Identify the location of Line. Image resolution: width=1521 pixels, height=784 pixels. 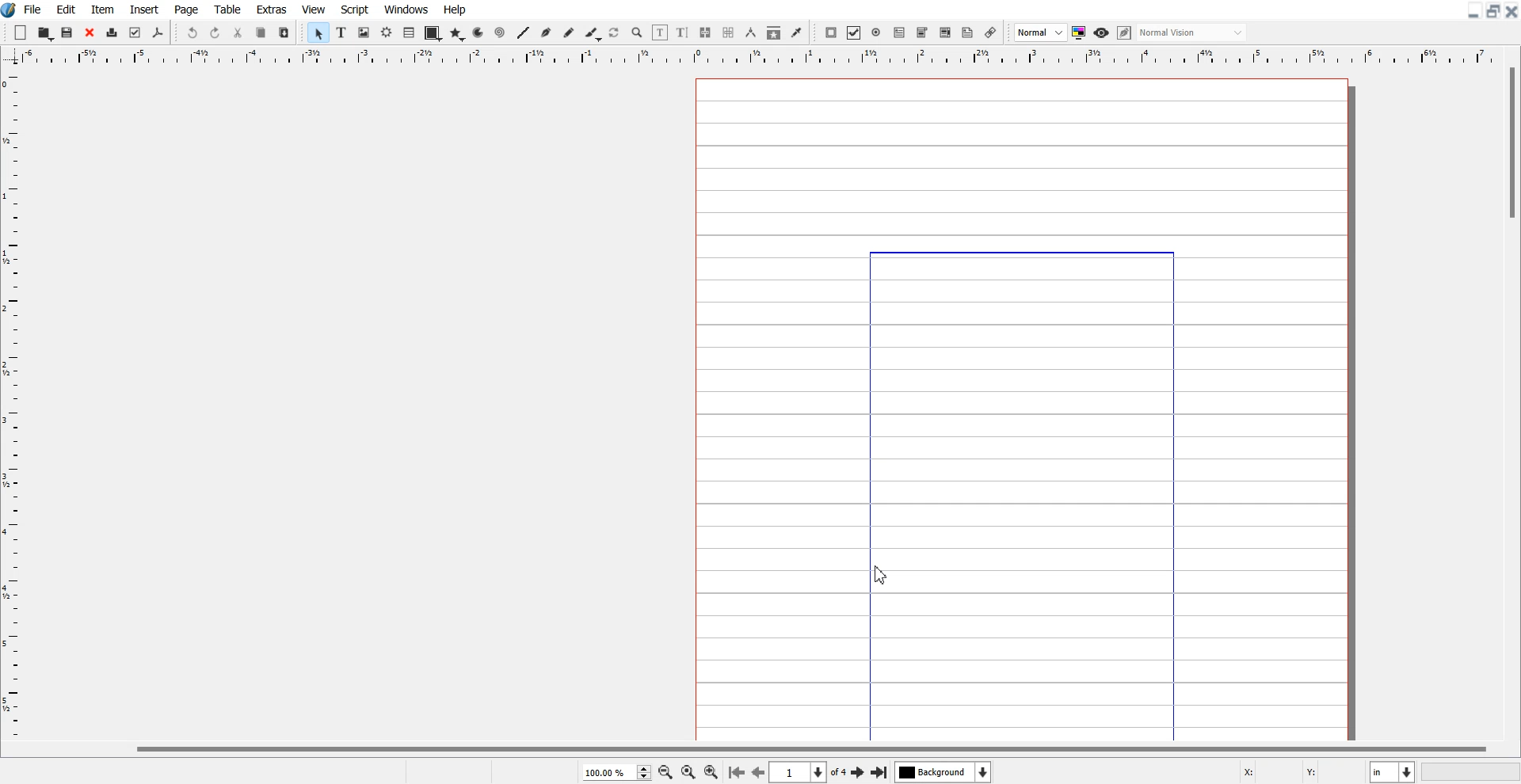
(522, 32).